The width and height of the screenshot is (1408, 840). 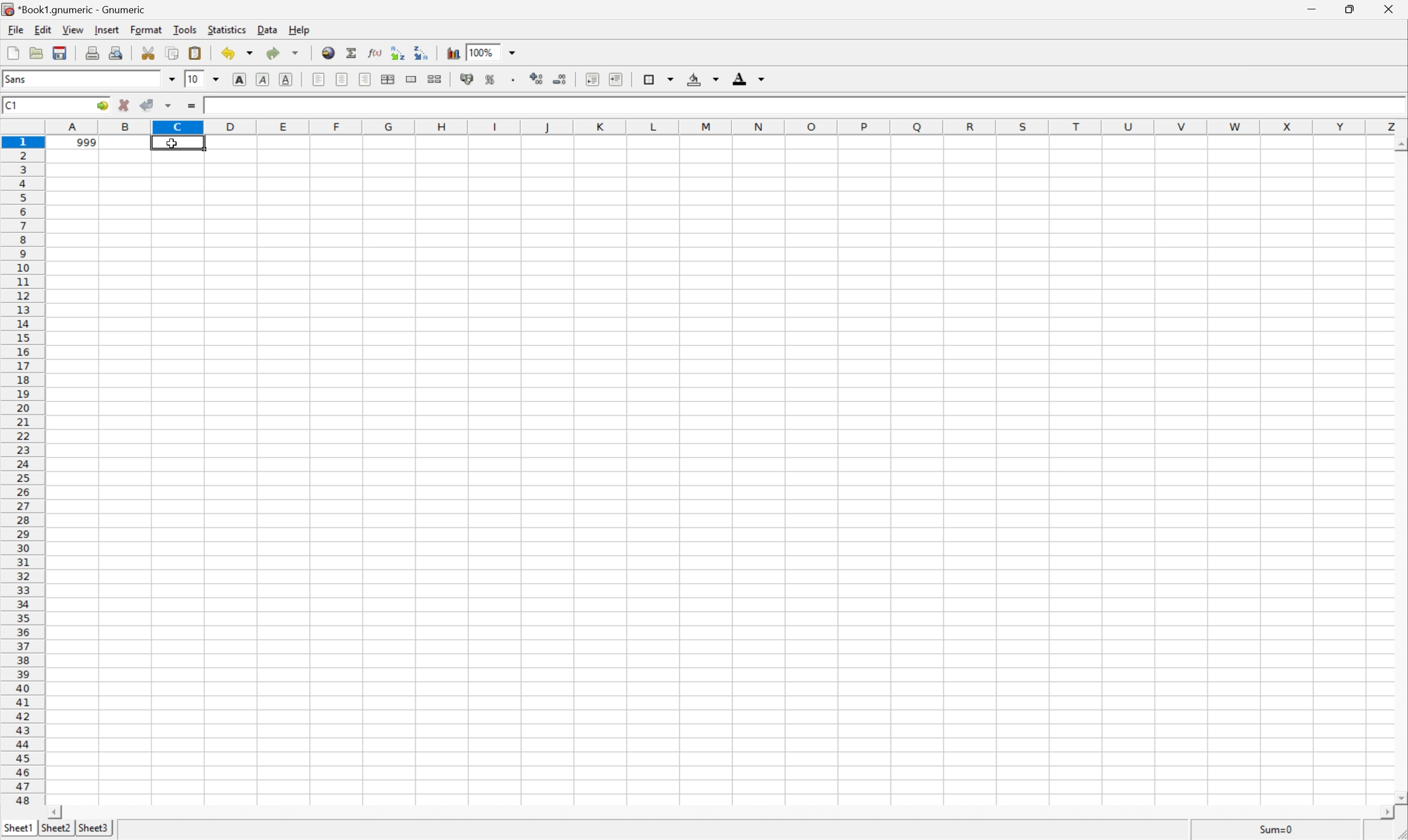 I want to click on italic, so click(x=262, y=78).